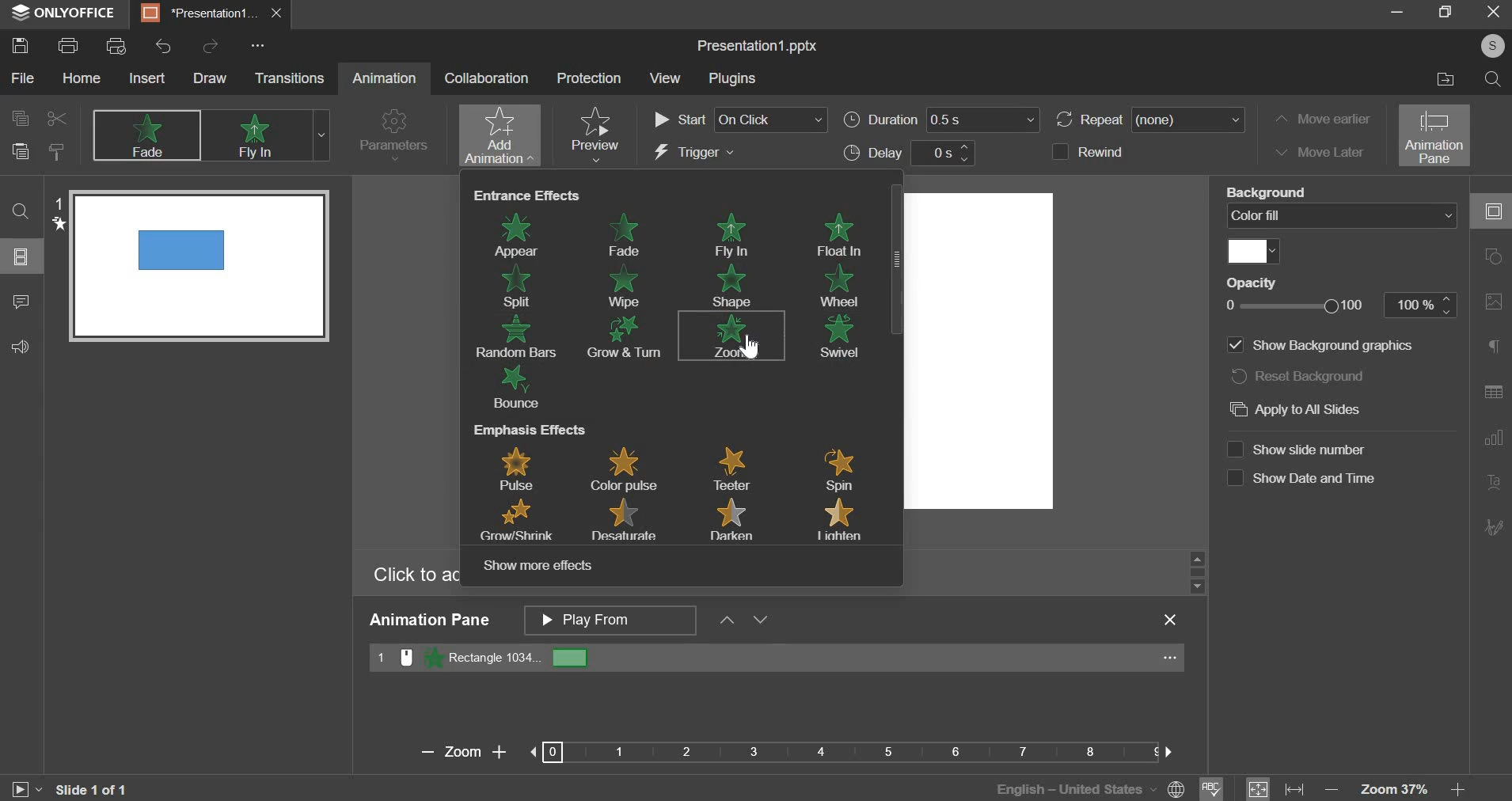  What do you see at coordinates (1461, 788) in the screenshot?
I see `zoom in` at bounding box center [1461, 788].